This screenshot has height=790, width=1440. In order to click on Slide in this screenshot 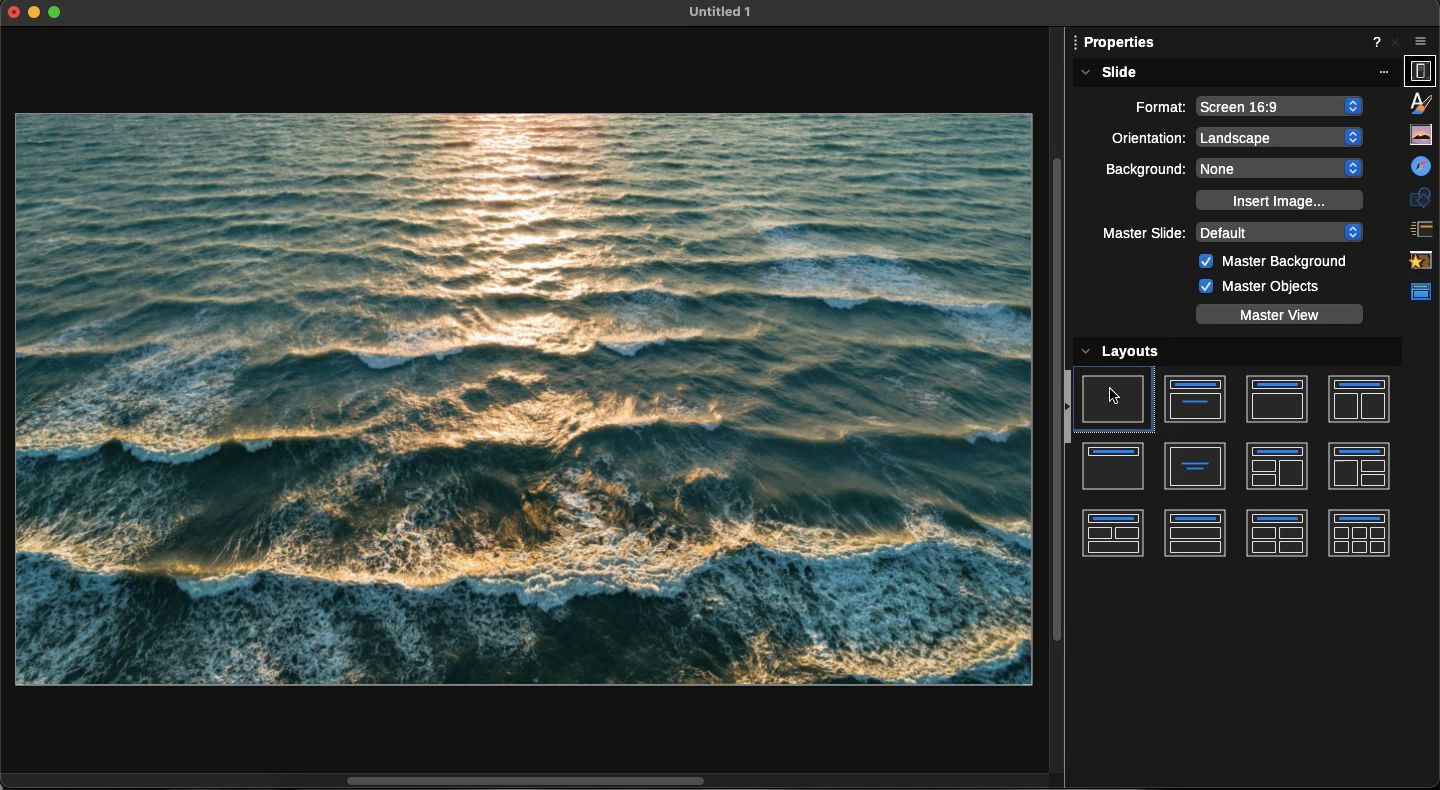, I will do `click(1111, 400)`.